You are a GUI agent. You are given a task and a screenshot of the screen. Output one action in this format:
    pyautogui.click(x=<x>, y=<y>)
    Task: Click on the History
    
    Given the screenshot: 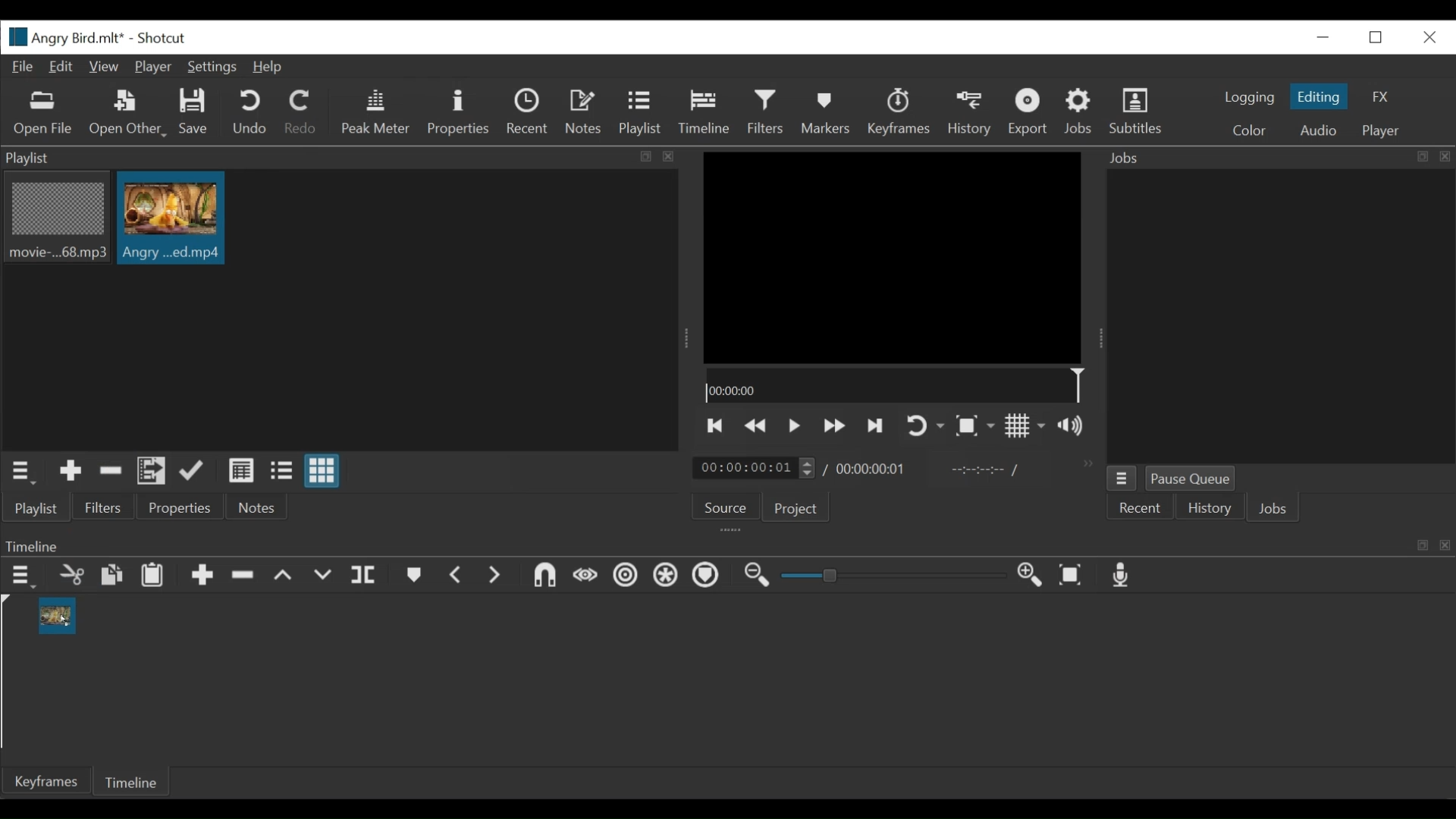 What is the action you would take?
    pyautogui.click(x=970, y=114)
    